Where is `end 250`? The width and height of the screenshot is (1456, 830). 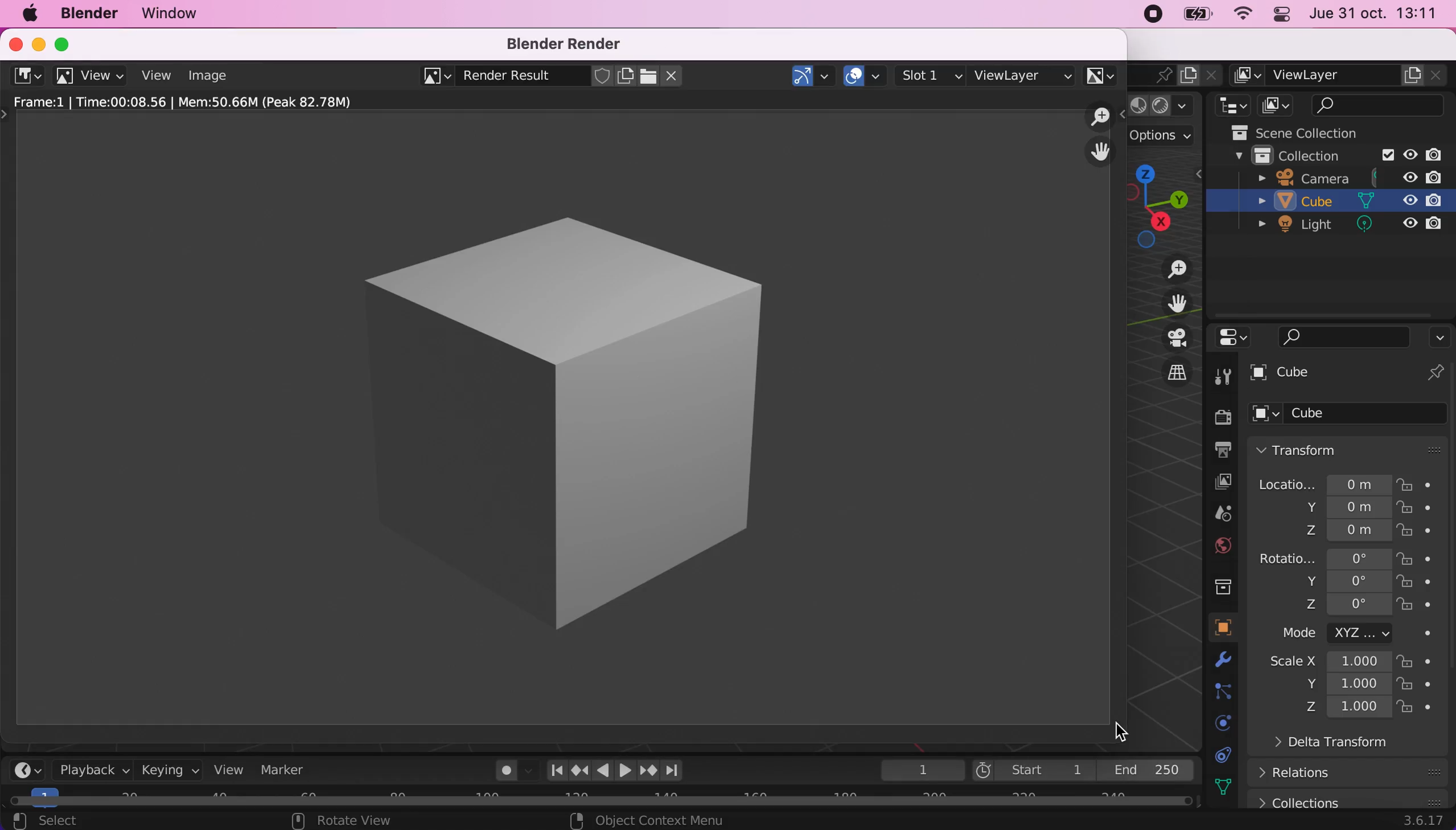
end 250 is located at coordinates (1152, 771).